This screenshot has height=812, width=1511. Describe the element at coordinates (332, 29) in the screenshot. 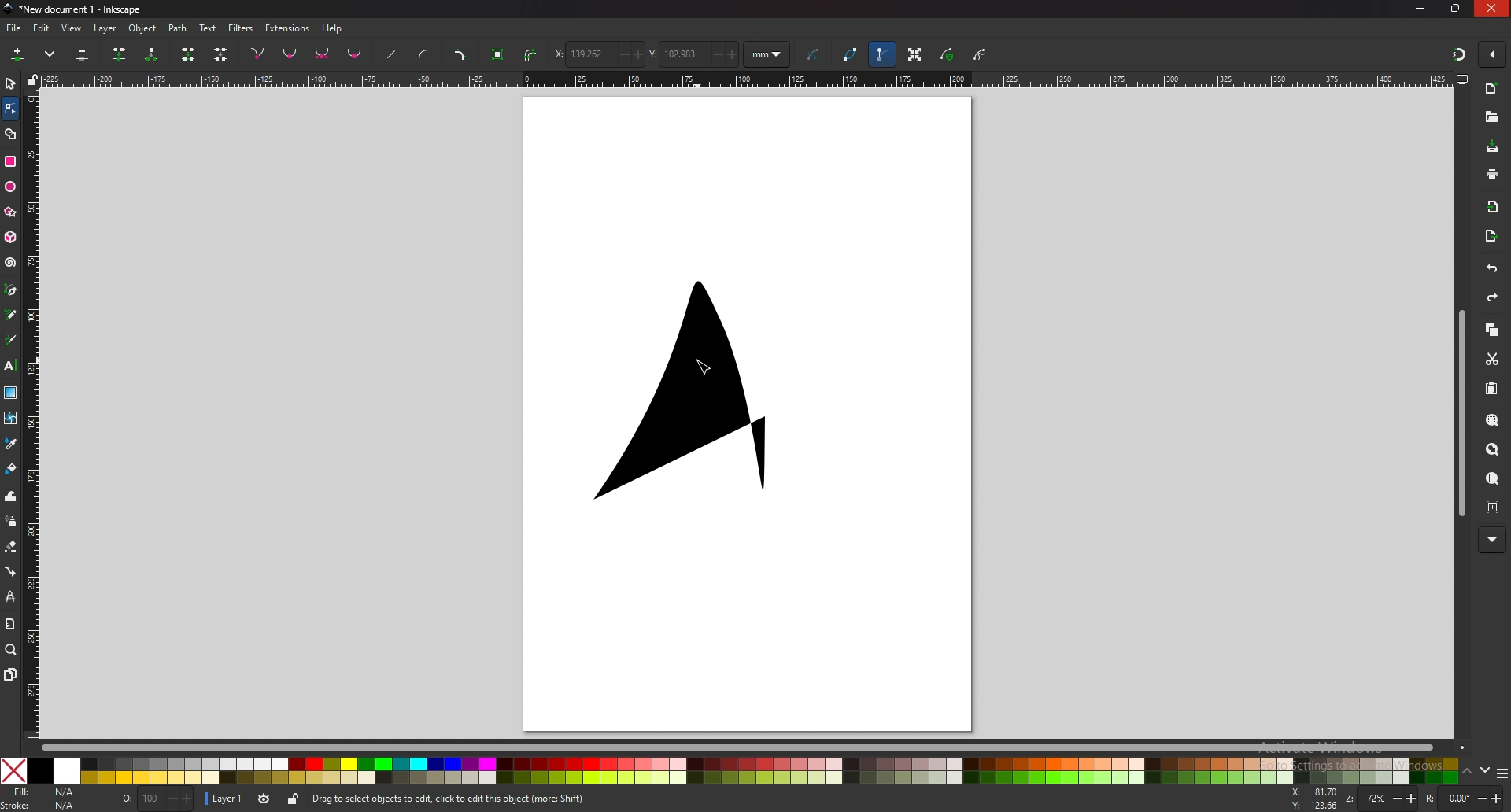

I see `help` at that location.